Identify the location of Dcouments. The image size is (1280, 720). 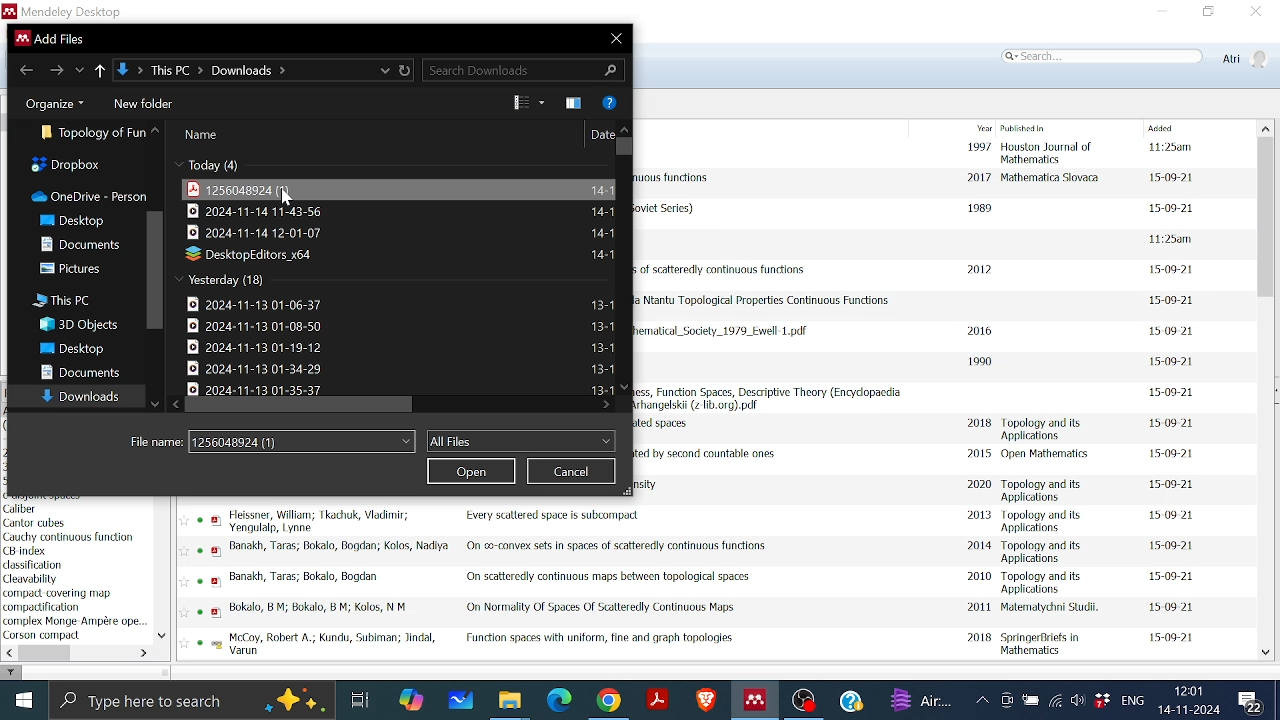
(82, 245).